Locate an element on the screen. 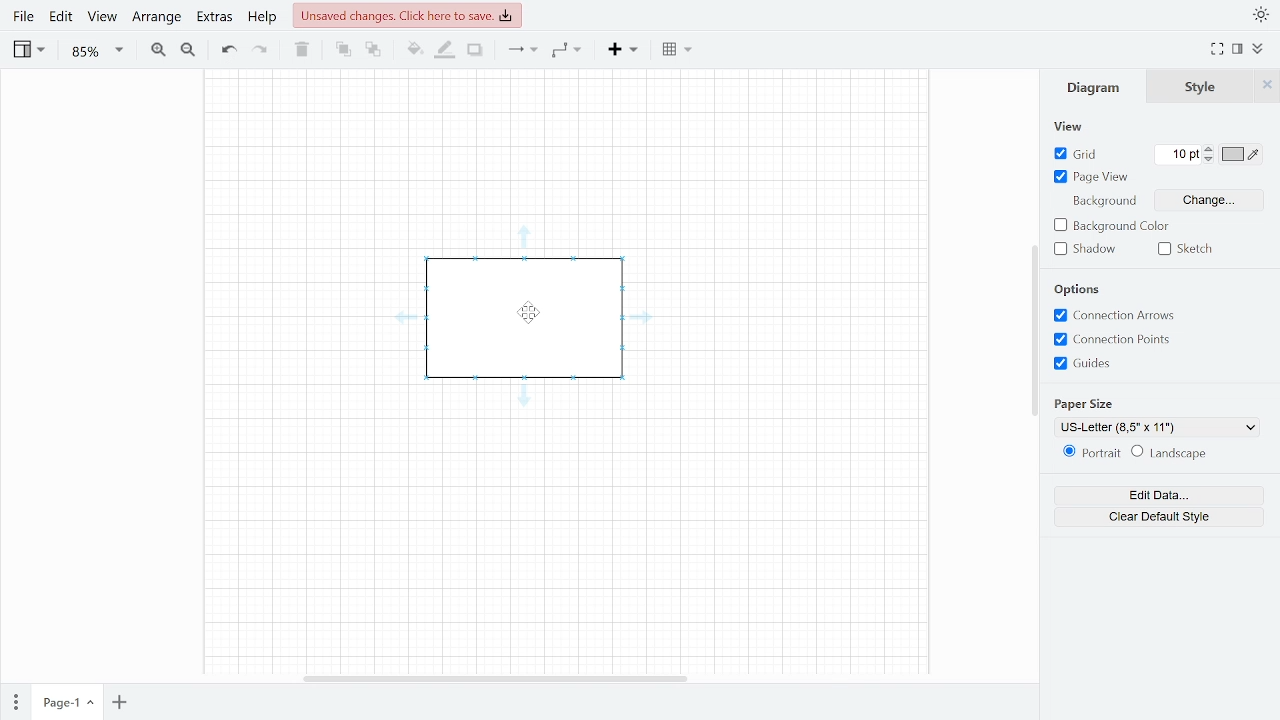 Image resolution: width=1280 pixels, height=720 pixels. Undo is located at coordinates (226, 50).